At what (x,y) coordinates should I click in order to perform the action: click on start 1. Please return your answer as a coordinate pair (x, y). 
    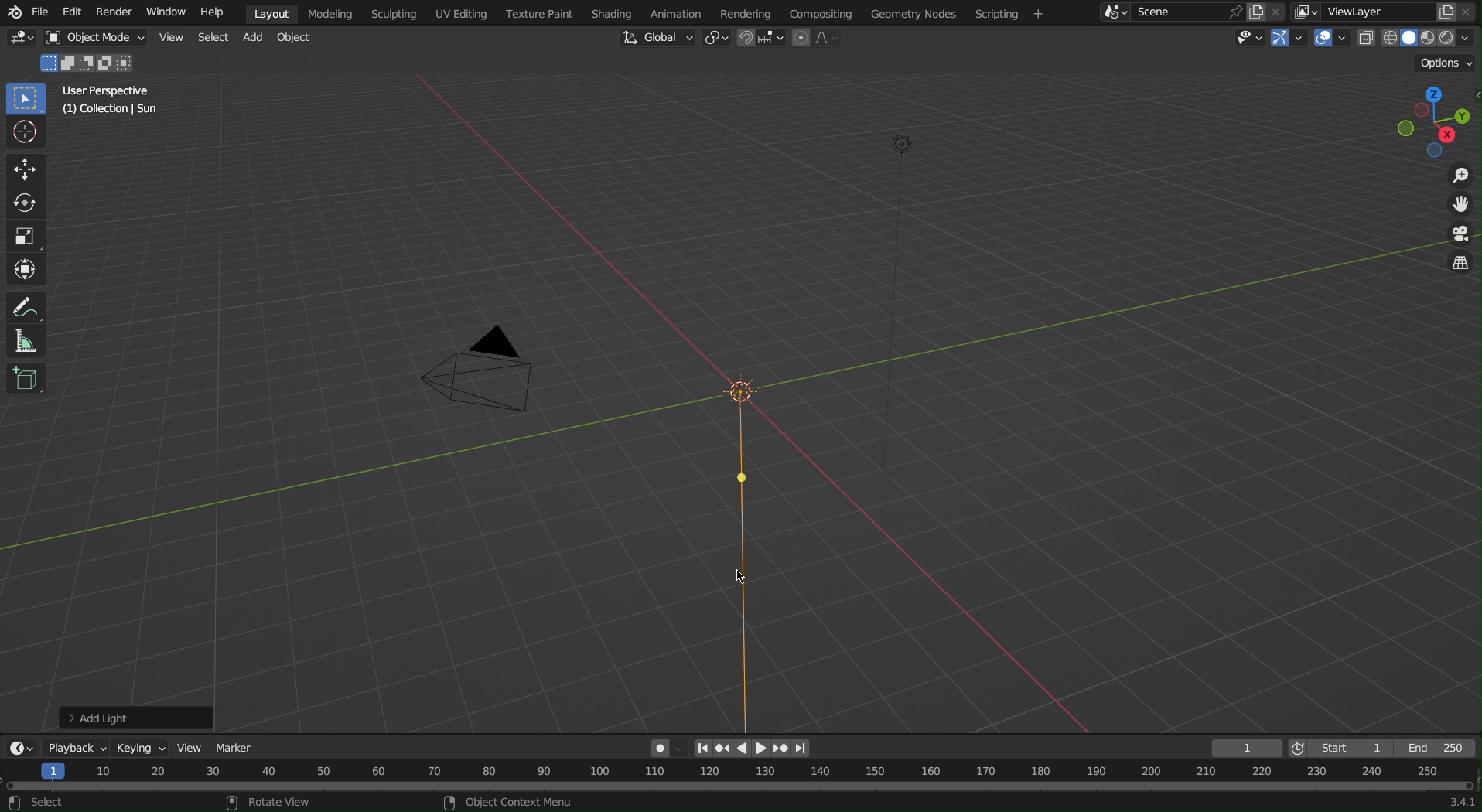
    Looking at the image, I should click on (1347, 747).